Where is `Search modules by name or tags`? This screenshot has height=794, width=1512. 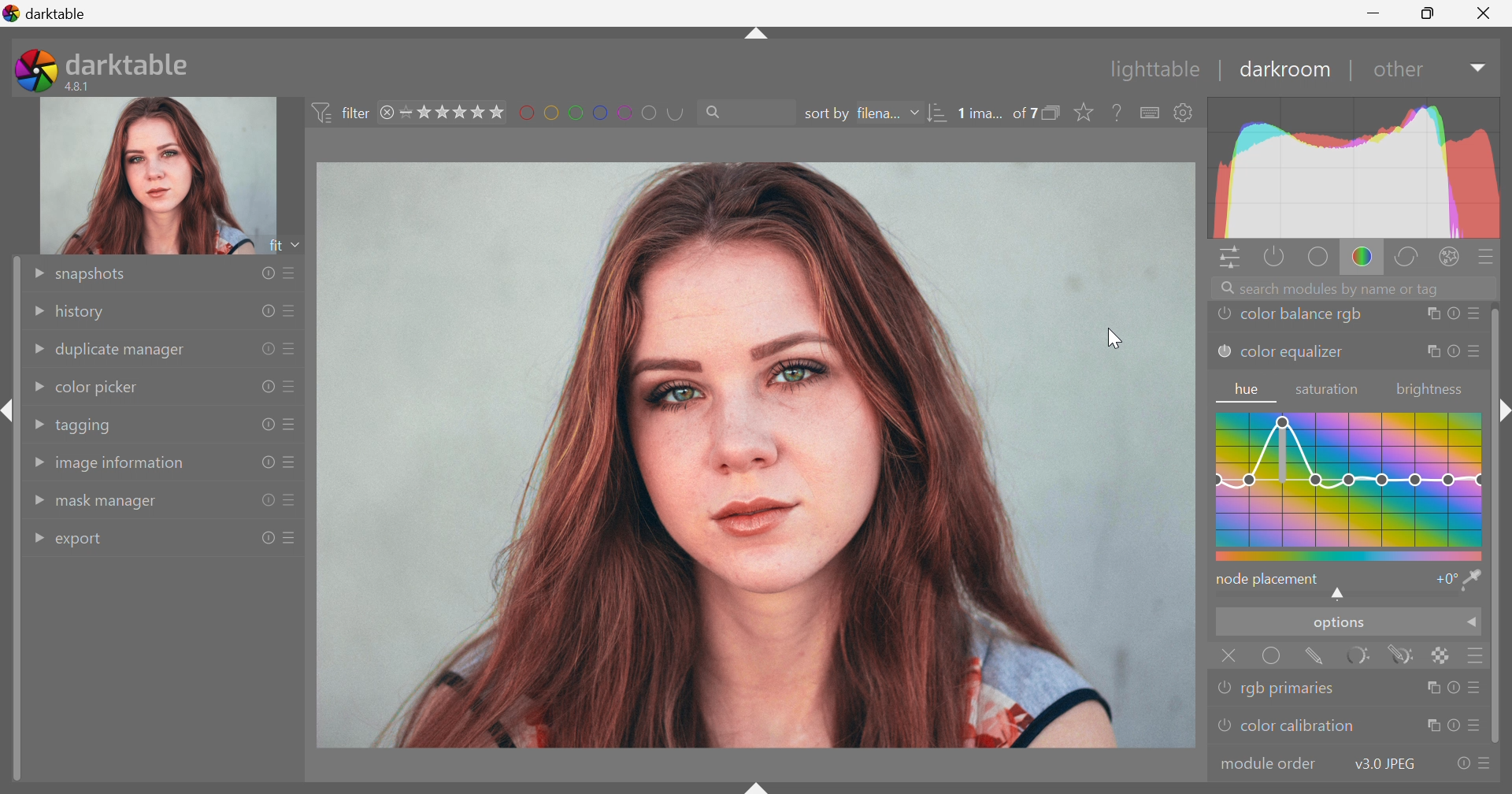
Search modules by name or tags is located at coordinates (1357, 288).